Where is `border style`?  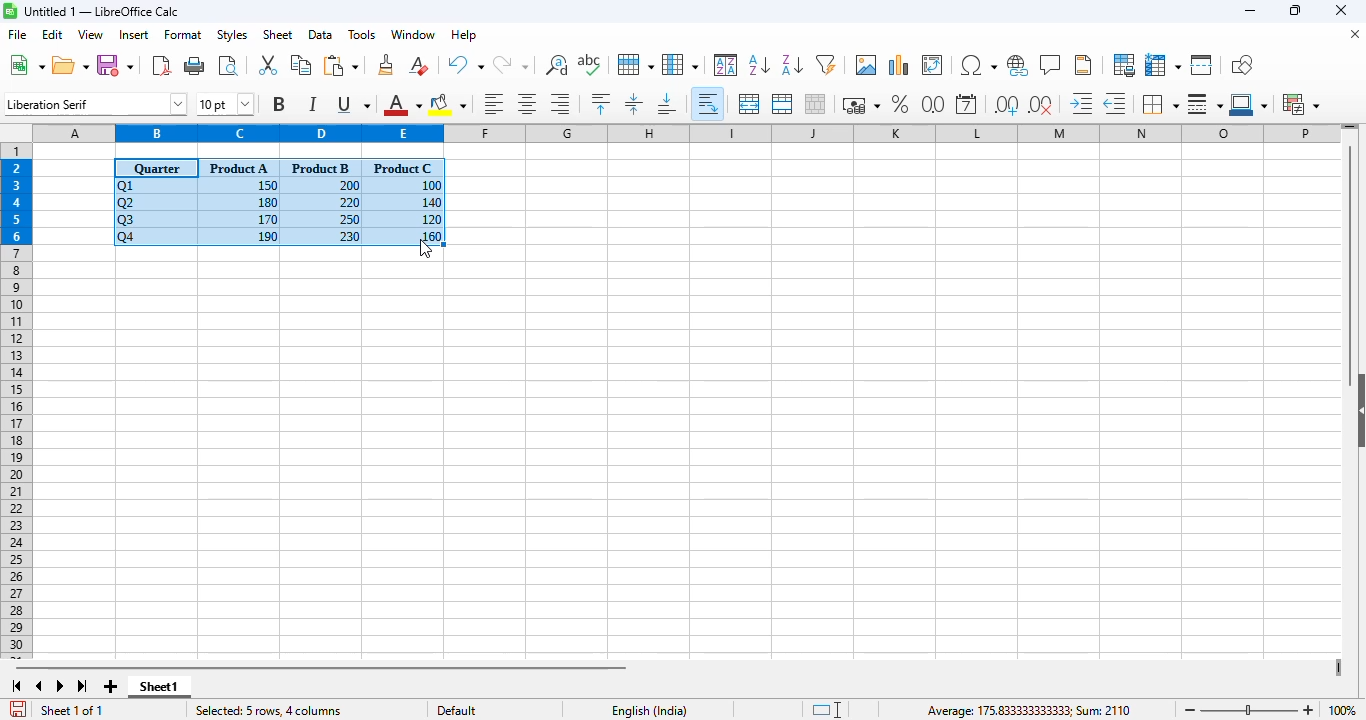 border style is located at coordinates (1205, 104).